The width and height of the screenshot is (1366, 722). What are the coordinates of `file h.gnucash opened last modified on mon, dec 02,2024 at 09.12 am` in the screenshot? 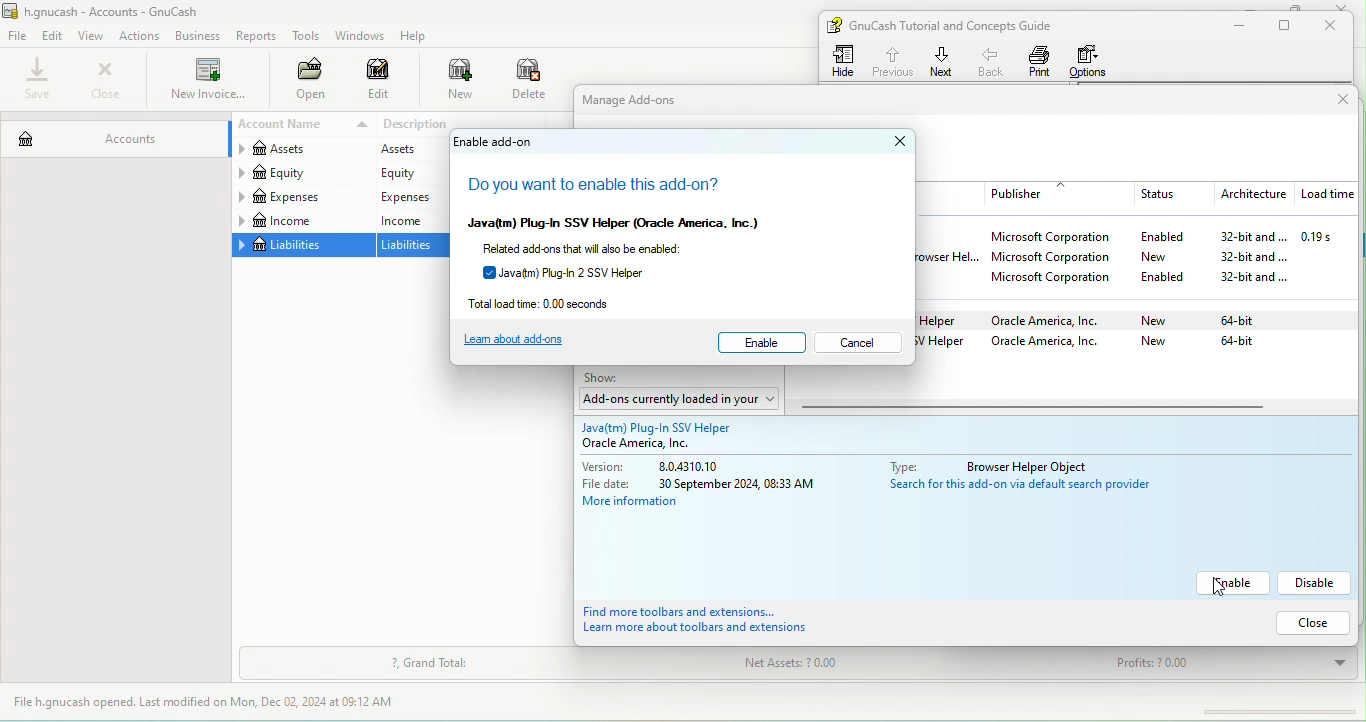 It's located at (219, 703).